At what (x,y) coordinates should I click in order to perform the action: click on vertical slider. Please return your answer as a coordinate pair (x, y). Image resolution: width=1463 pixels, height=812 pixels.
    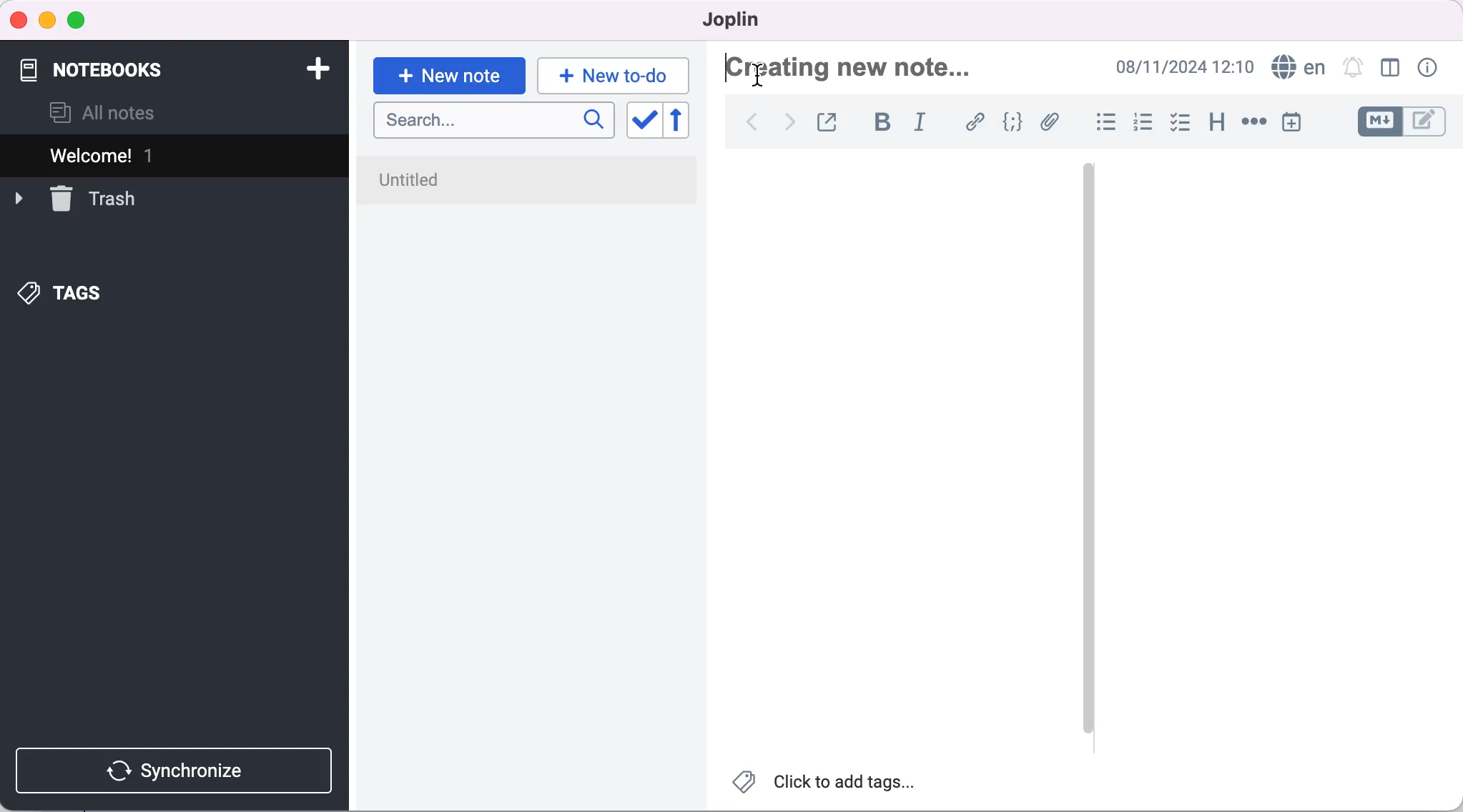
    Looking at the image, I should click on (1088, 457).